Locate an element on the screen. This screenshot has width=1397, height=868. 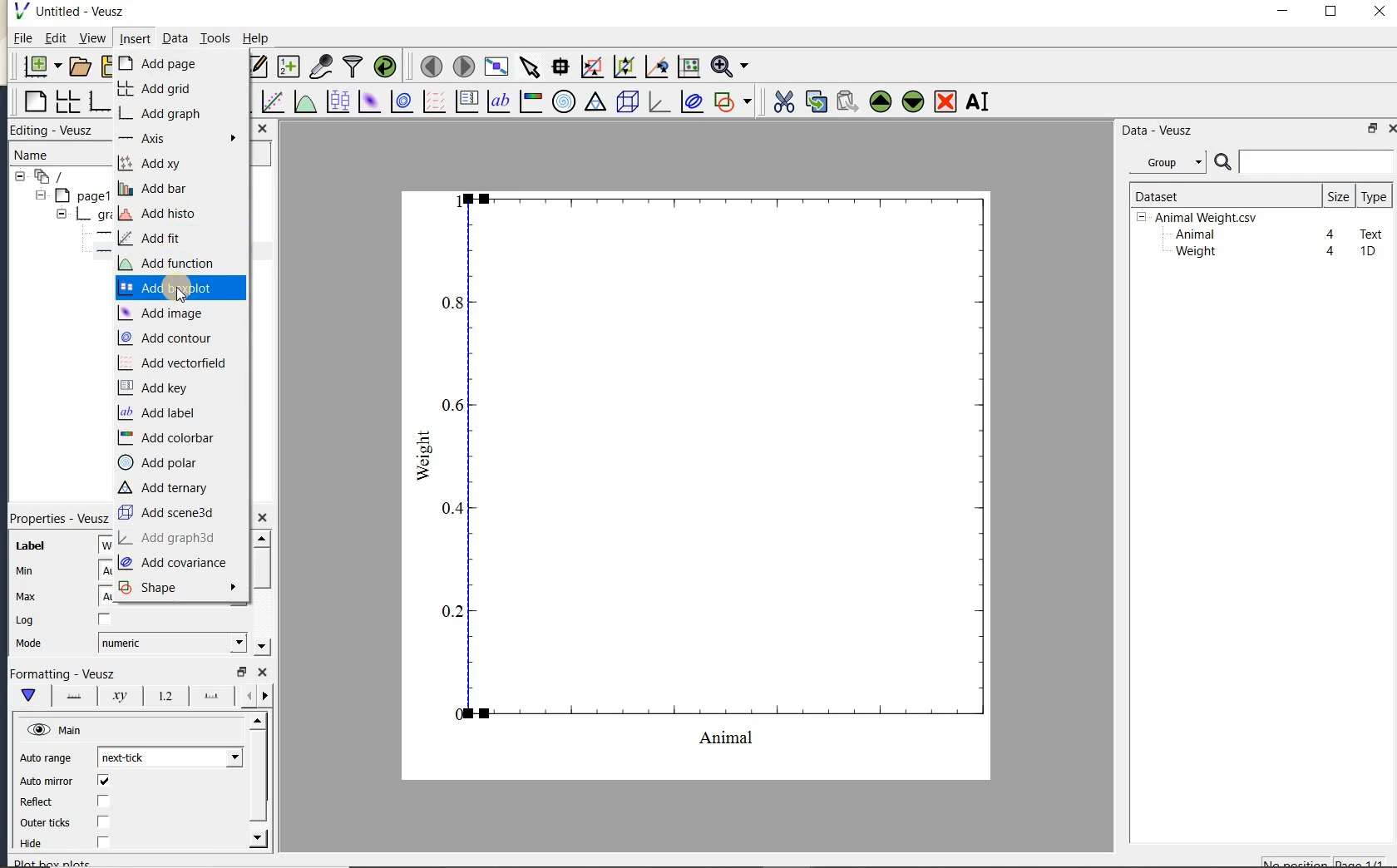
fit a function to data is located at coordinates (272, 101).